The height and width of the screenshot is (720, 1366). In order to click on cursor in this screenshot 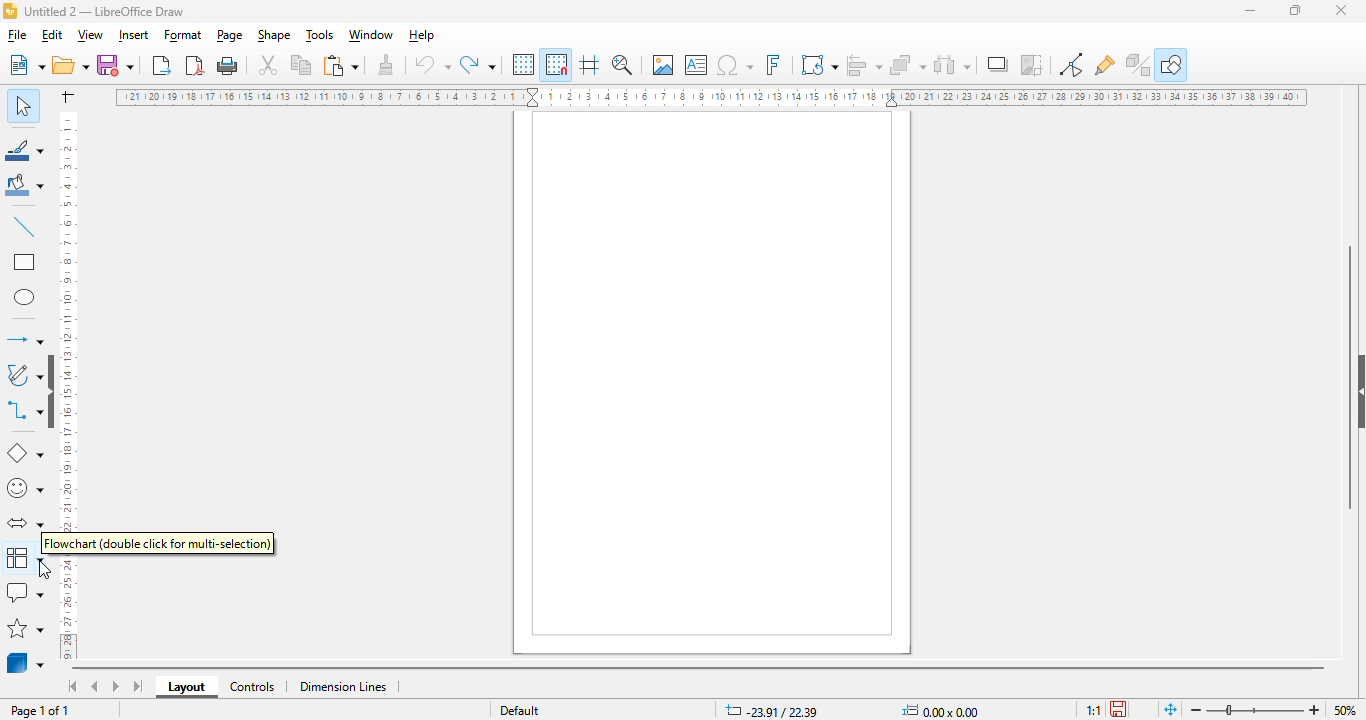, I will do `click(43, 571)`.